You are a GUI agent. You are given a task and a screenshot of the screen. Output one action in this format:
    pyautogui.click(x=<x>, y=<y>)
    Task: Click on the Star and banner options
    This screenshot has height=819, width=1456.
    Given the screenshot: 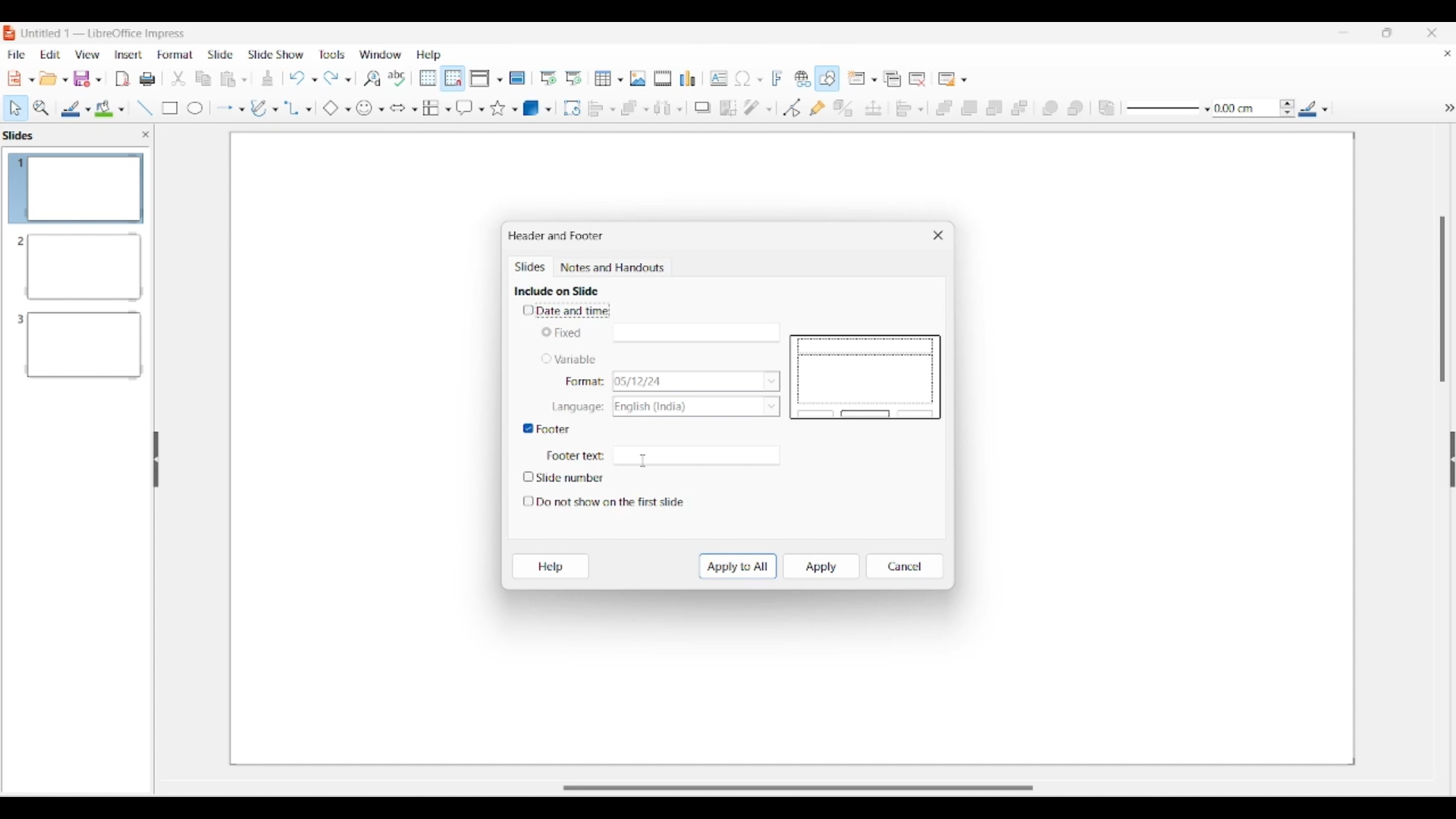 What is the action you would take?
    pyautogui.click(x=504, y=108)
    